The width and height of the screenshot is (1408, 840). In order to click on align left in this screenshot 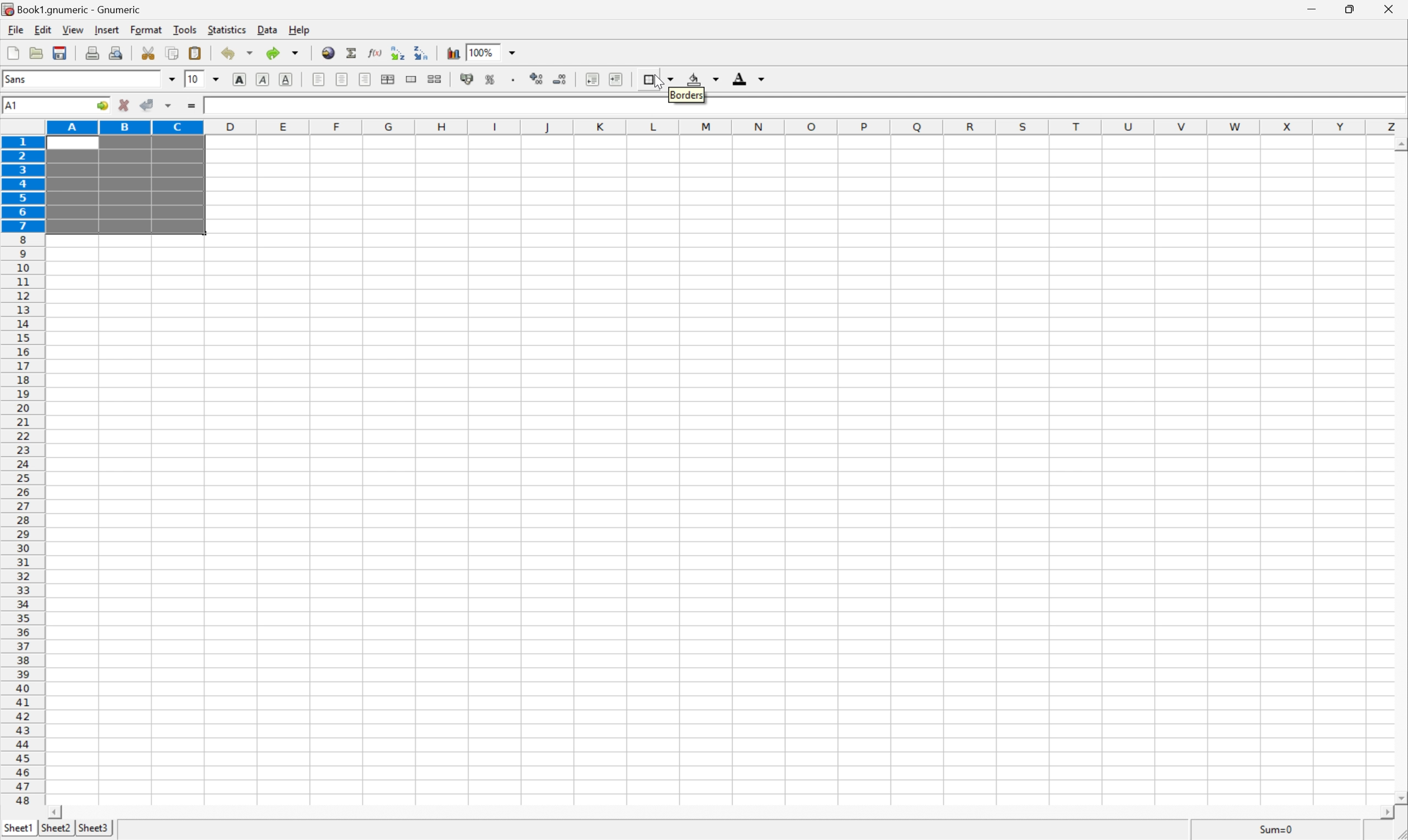, I will do `click(319, 79)`.